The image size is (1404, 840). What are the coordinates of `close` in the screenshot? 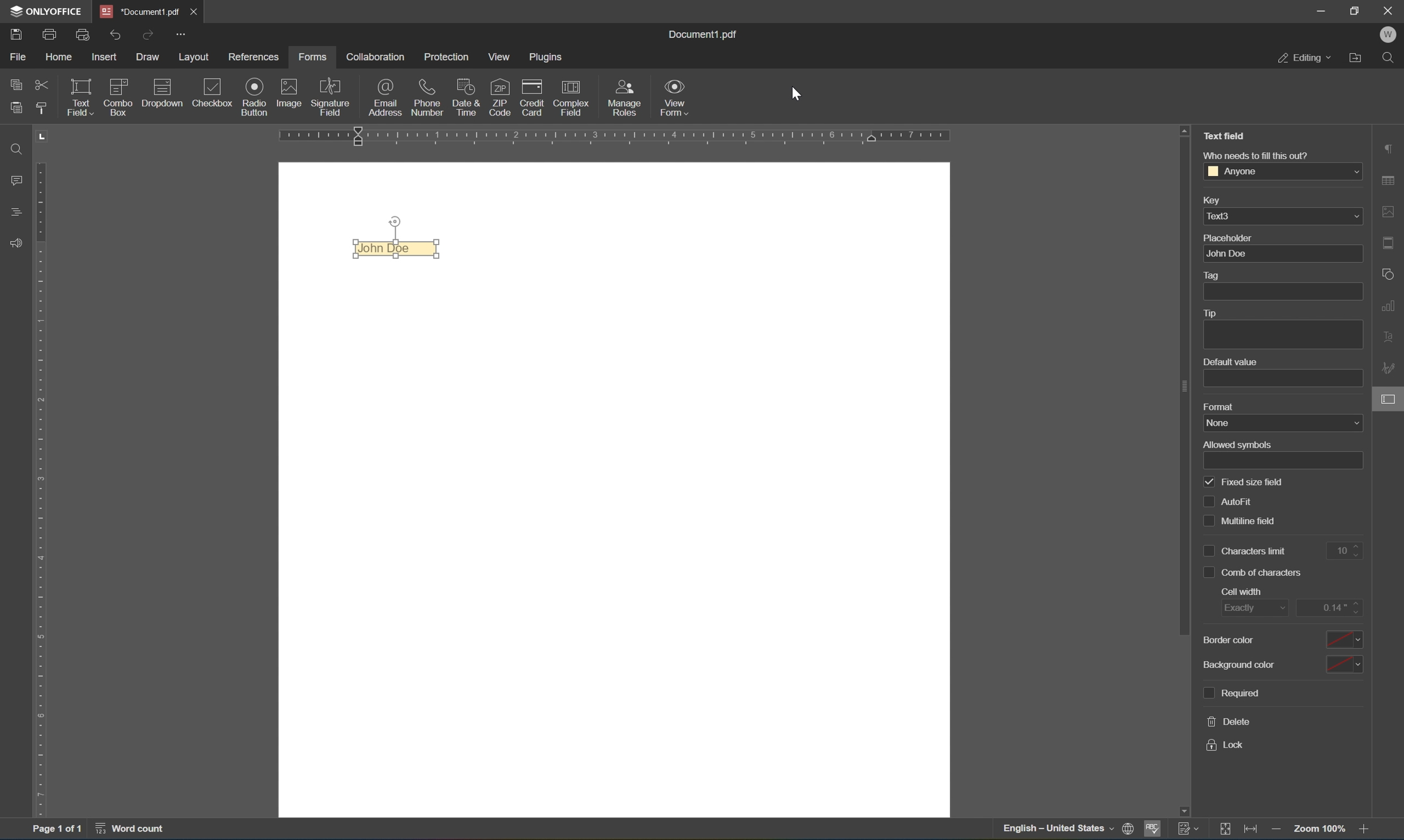 It's located at (194, 11).